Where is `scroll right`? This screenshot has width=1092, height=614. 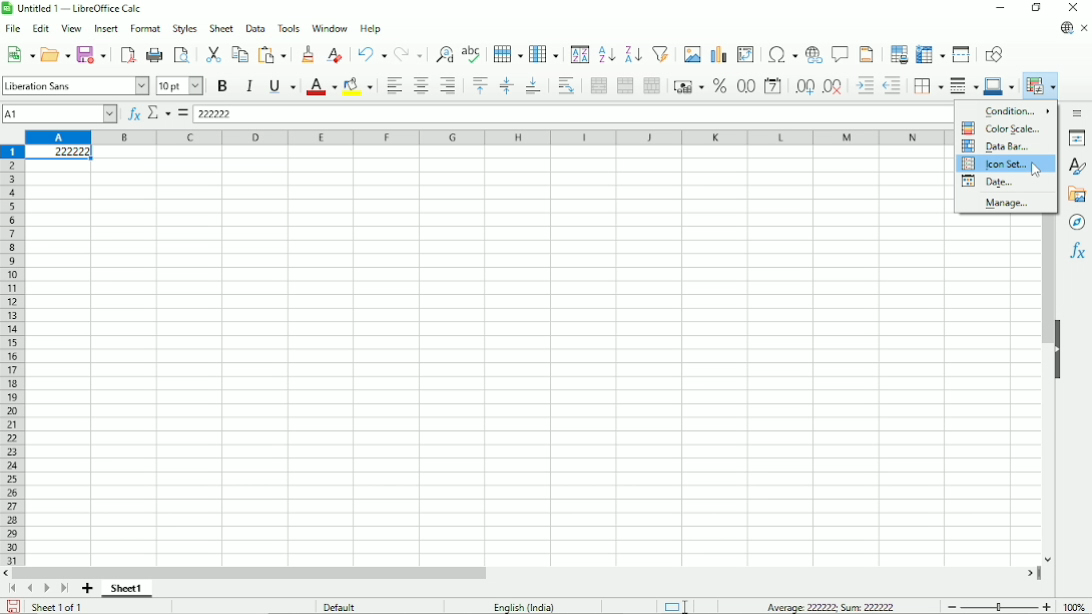
scroll right is located at coordinates (1031, 573).